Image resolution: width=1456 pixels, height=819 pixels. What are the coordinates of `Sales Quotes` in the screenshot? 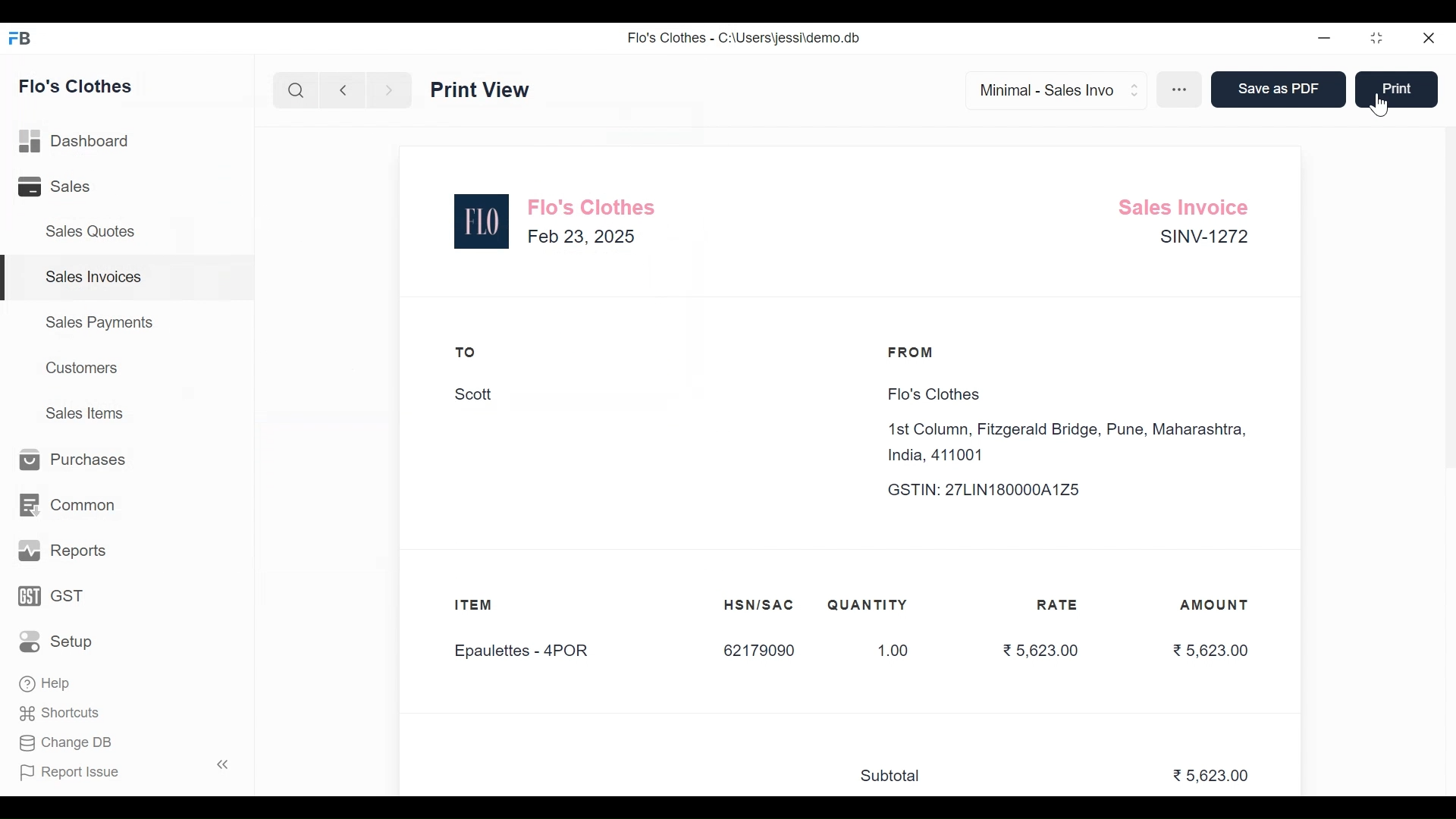 It's located at (96, 231).